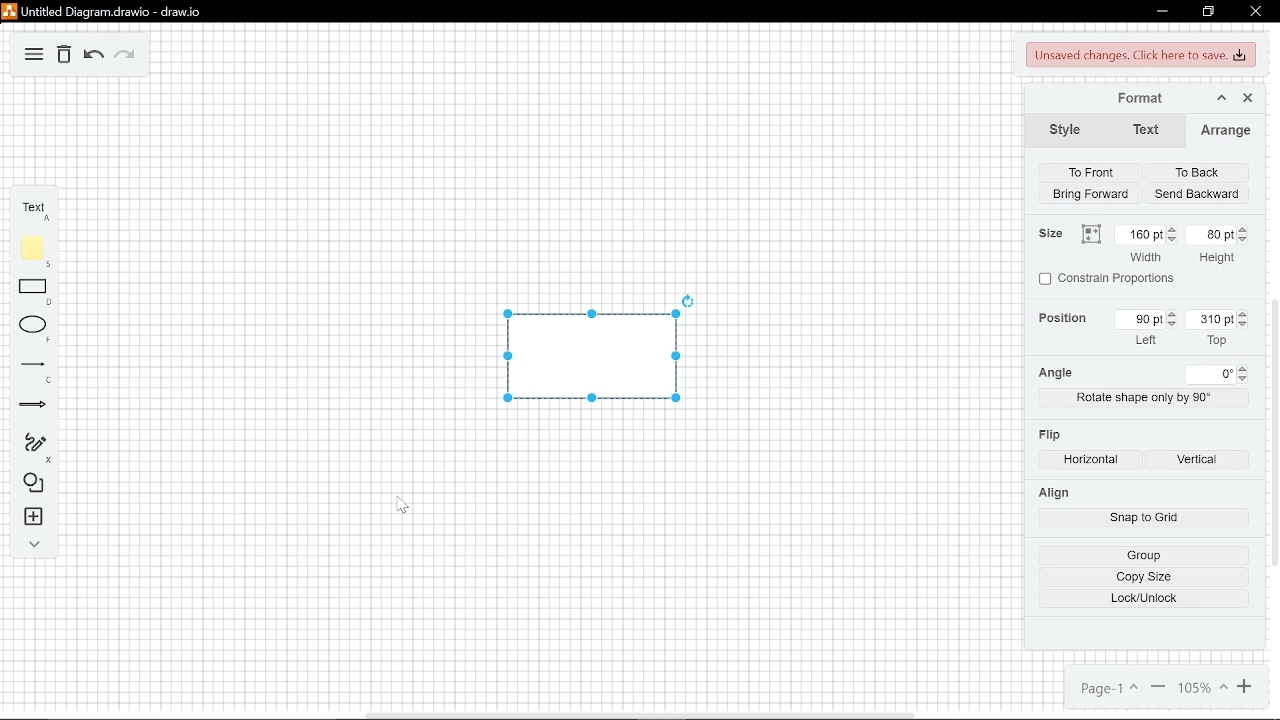  I want to click on rotate the current diagram, so click(689, 300).